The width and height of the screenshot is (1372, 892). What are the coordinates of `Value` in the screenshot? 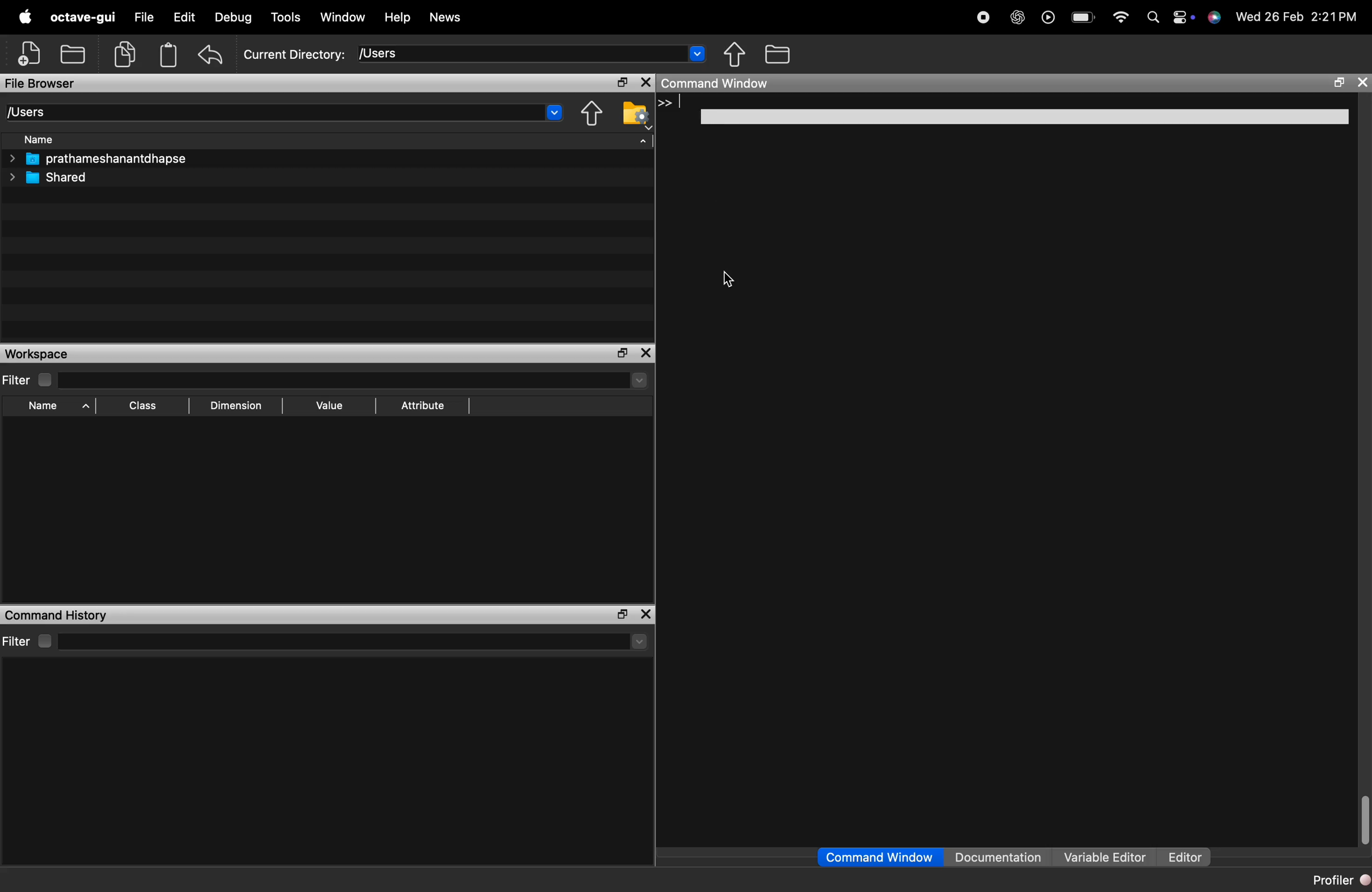 It's located at (329, 405).